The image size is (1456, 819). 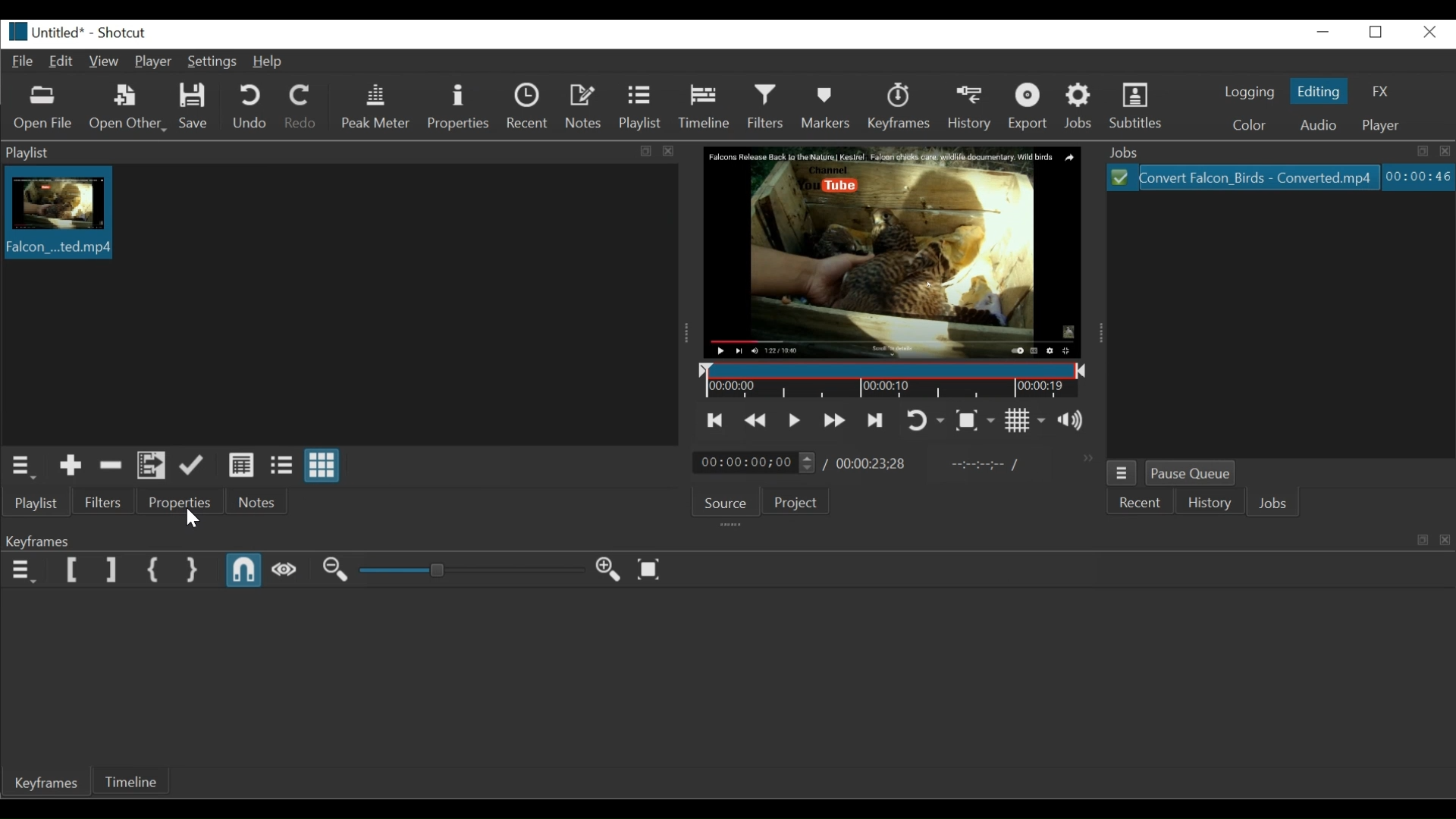 What do you see at coordinates (1025, 421) in the screenshot?
I see `Toggle grid display on the player` at bounding box center [1025, 421].